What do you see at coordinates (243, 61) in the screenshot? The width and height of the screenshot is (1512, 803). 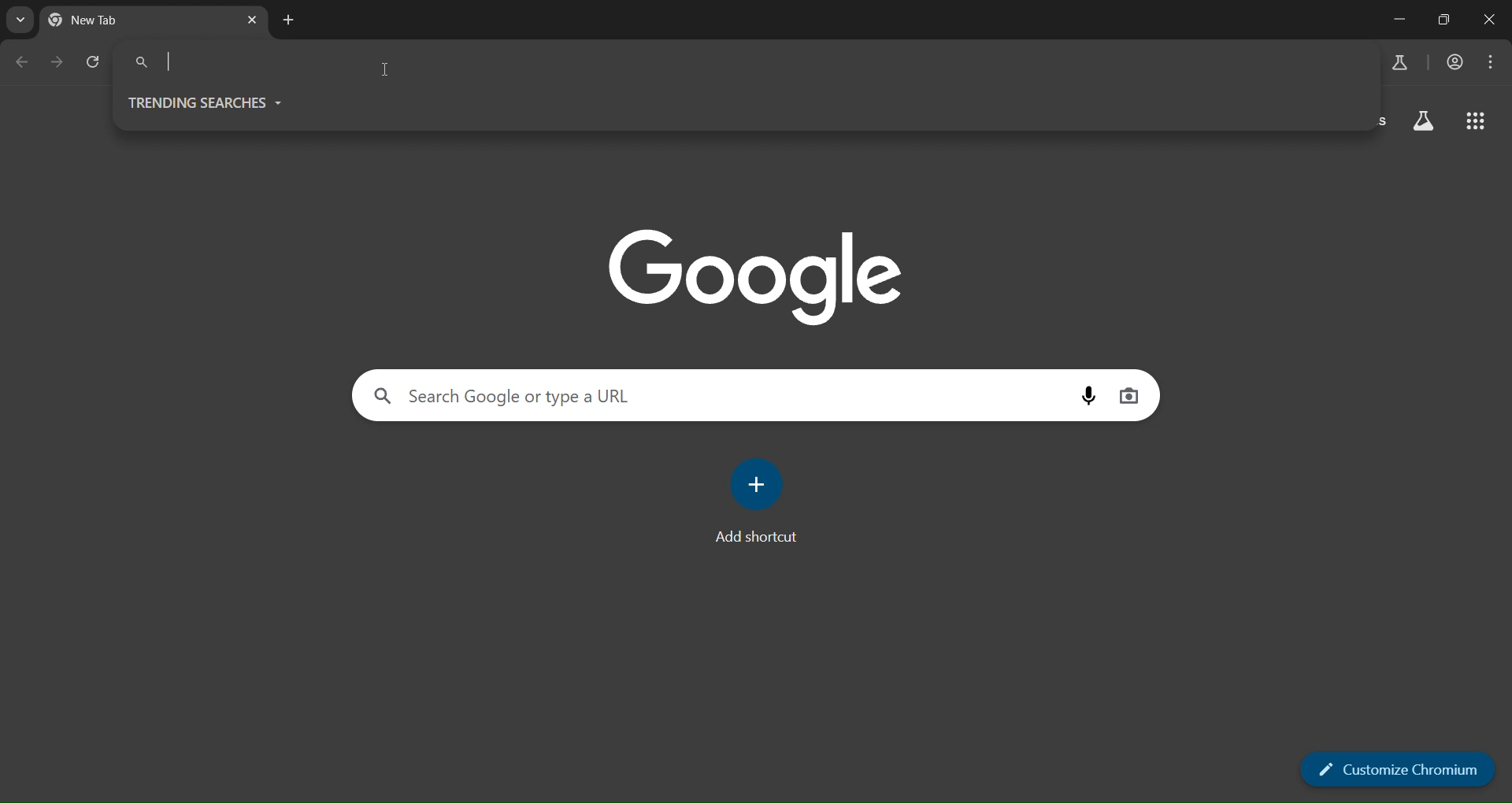 I see `search panel` at bounding box center [243, 61].